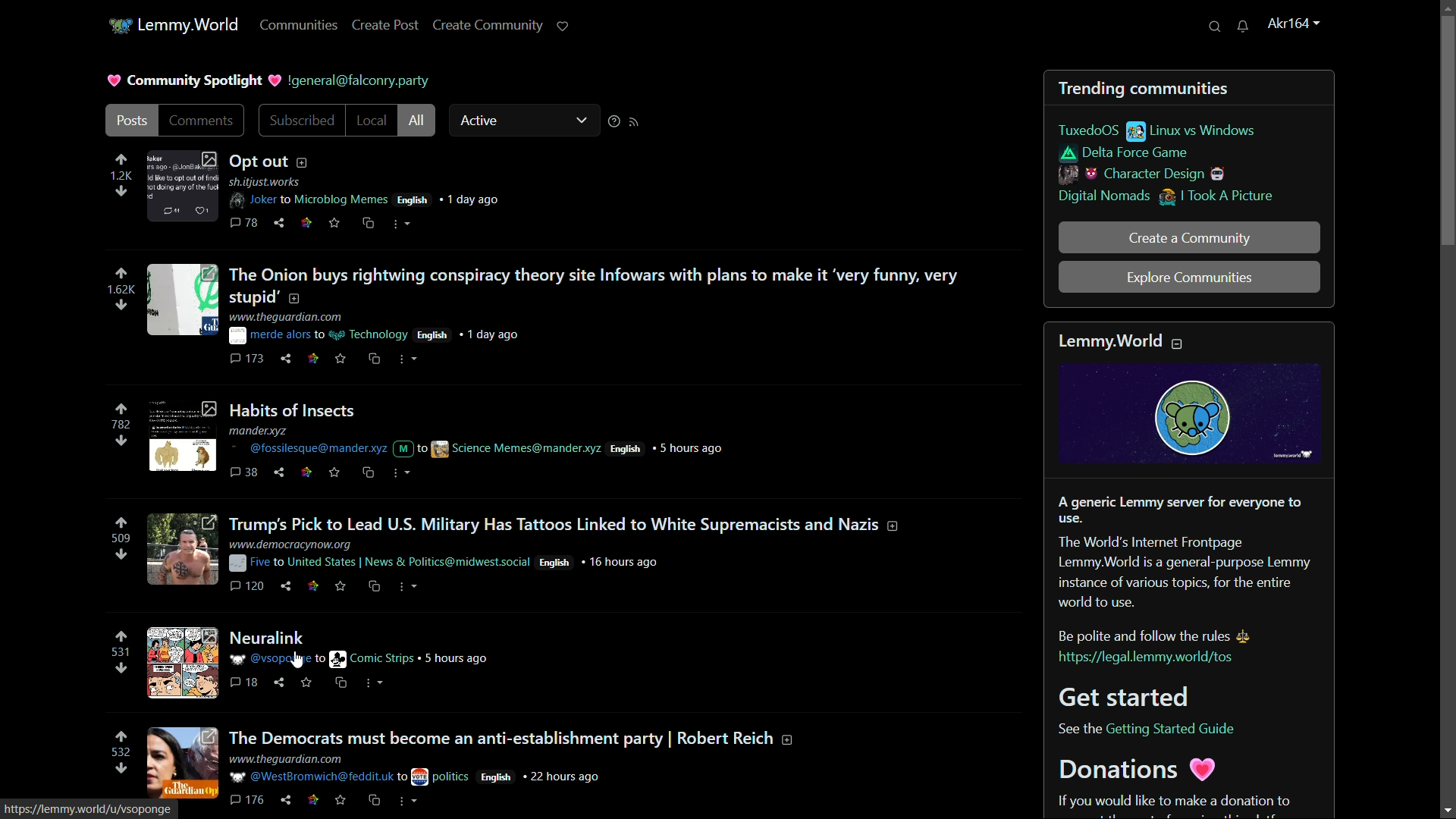  What do you see at coordinates (118, 27) in the screenshot?
I see `server icon` at bounding box center [118, 27].